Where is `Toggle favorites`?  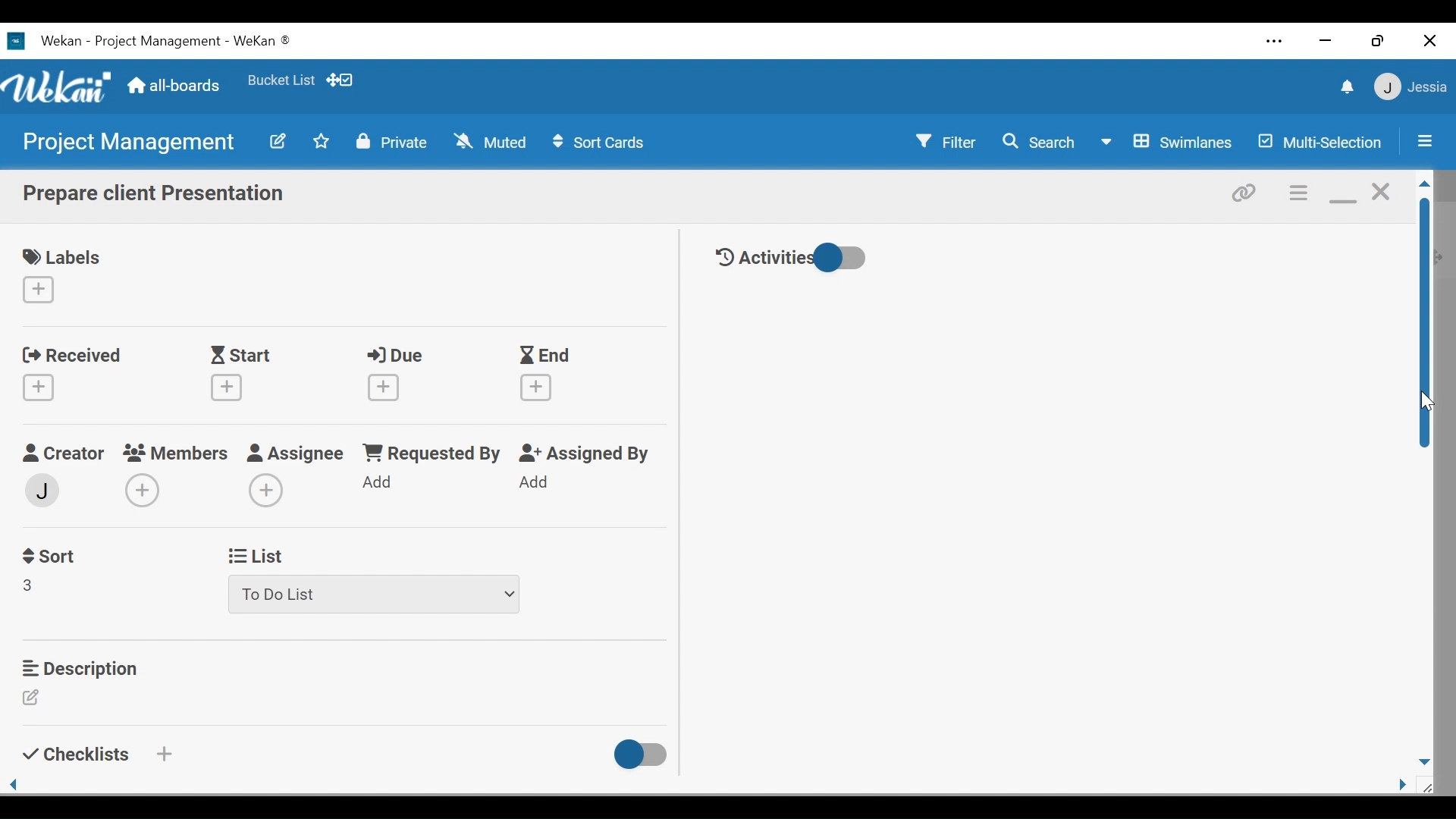 Toggle favorites is located at coordinates (321, 141).